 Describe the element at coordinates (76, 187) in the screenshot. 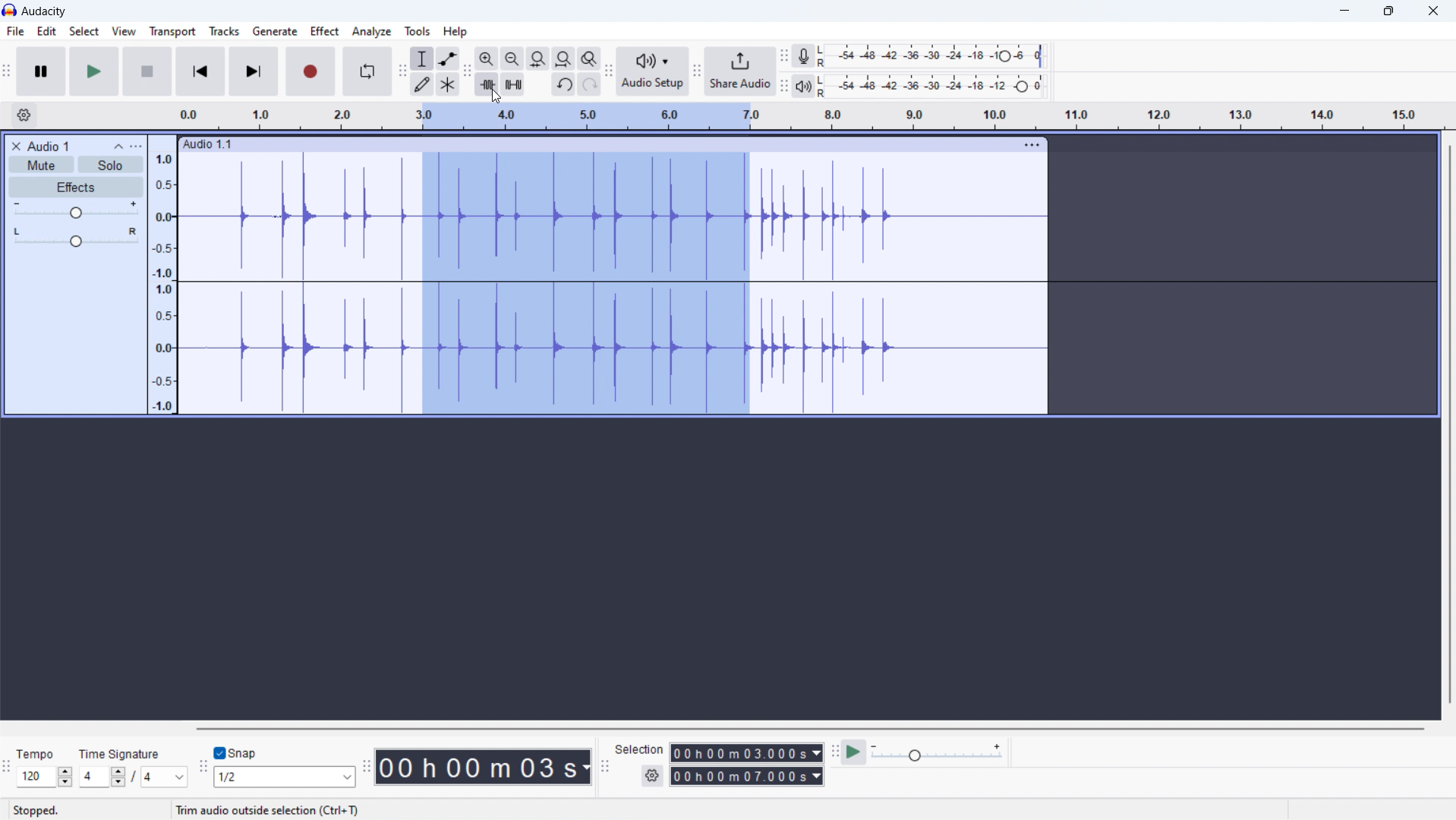

I see `effects` at that location.